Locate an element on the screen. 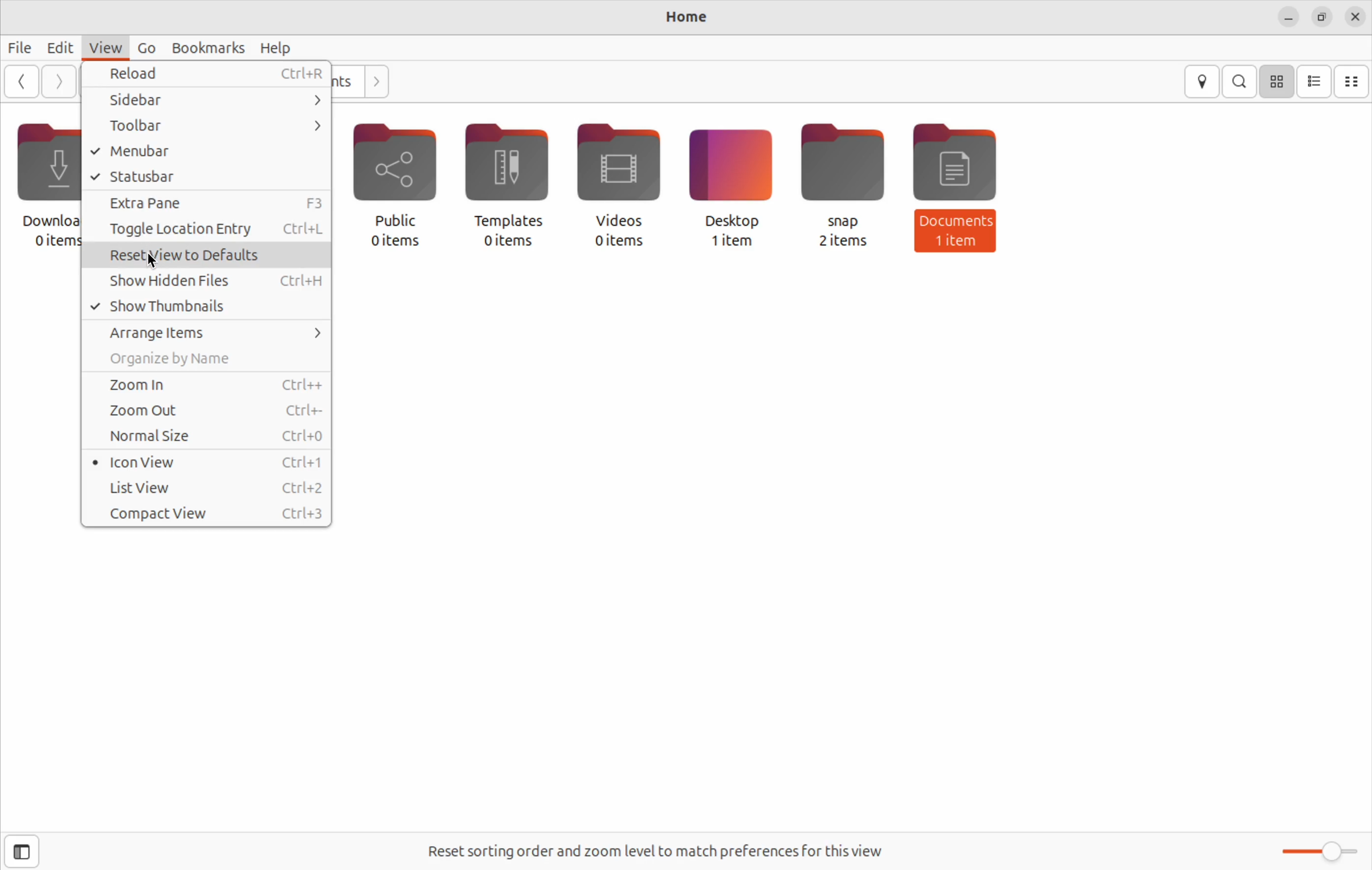 The width and height of the screenshot is (1372, 870). 0 items is located at coordinates (396, 247).